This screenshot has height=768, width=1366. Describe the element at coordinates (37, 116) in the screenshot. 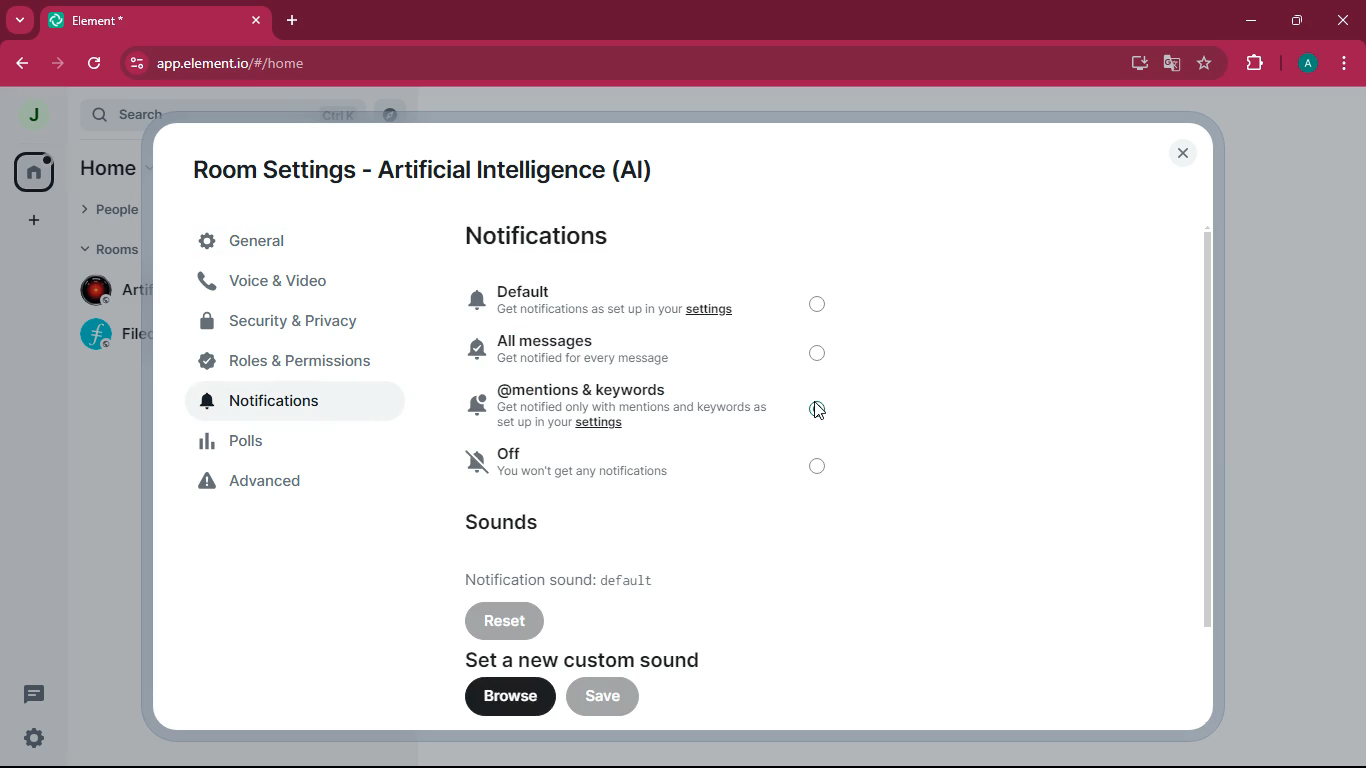

I see `profile picture` at that location.